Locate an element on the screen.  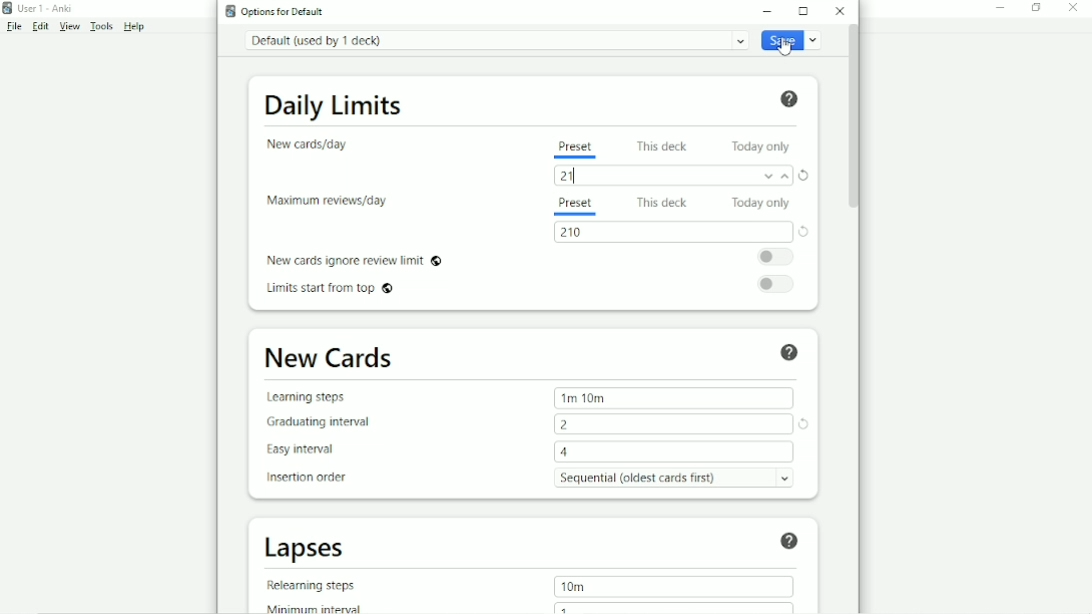
Daily Limits is located at coordinates (336, 105).